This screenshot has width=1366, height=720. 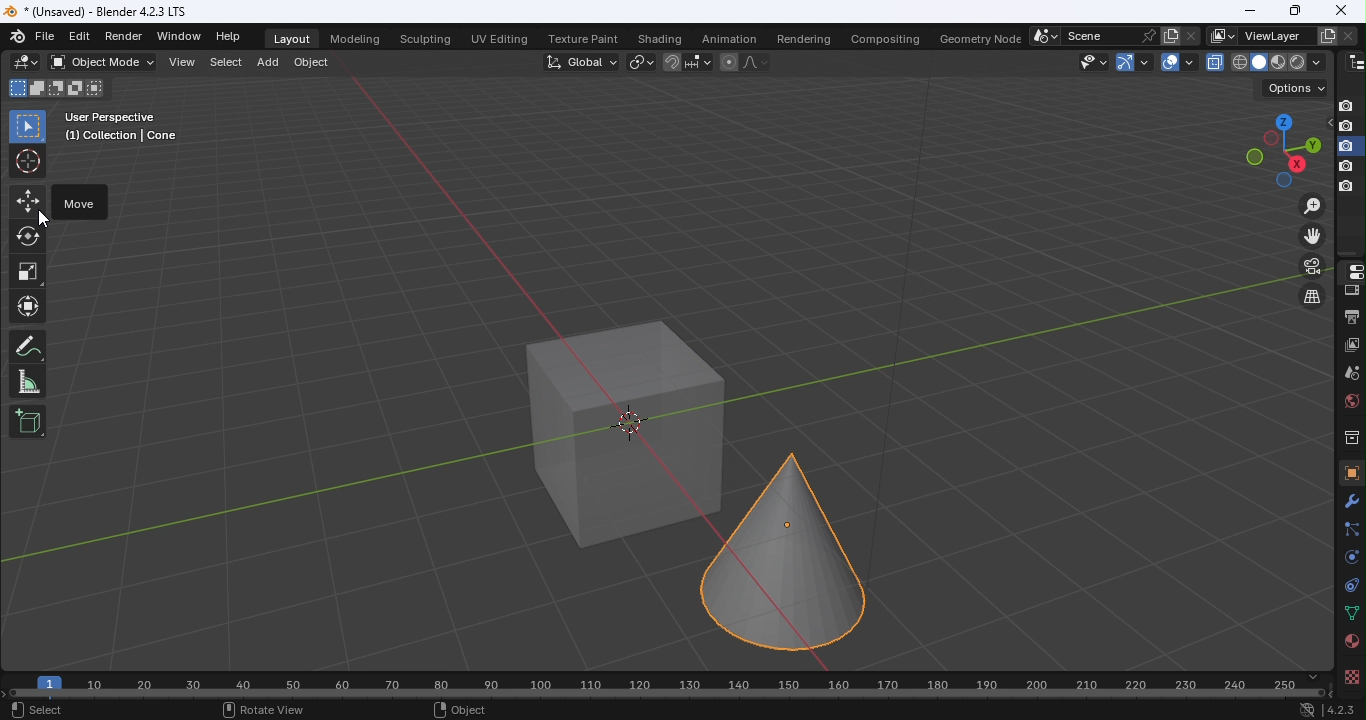 What do you see at coordinates (75, 89) in the screenshot?
I see `Mode` at bounding box center [75, 89].